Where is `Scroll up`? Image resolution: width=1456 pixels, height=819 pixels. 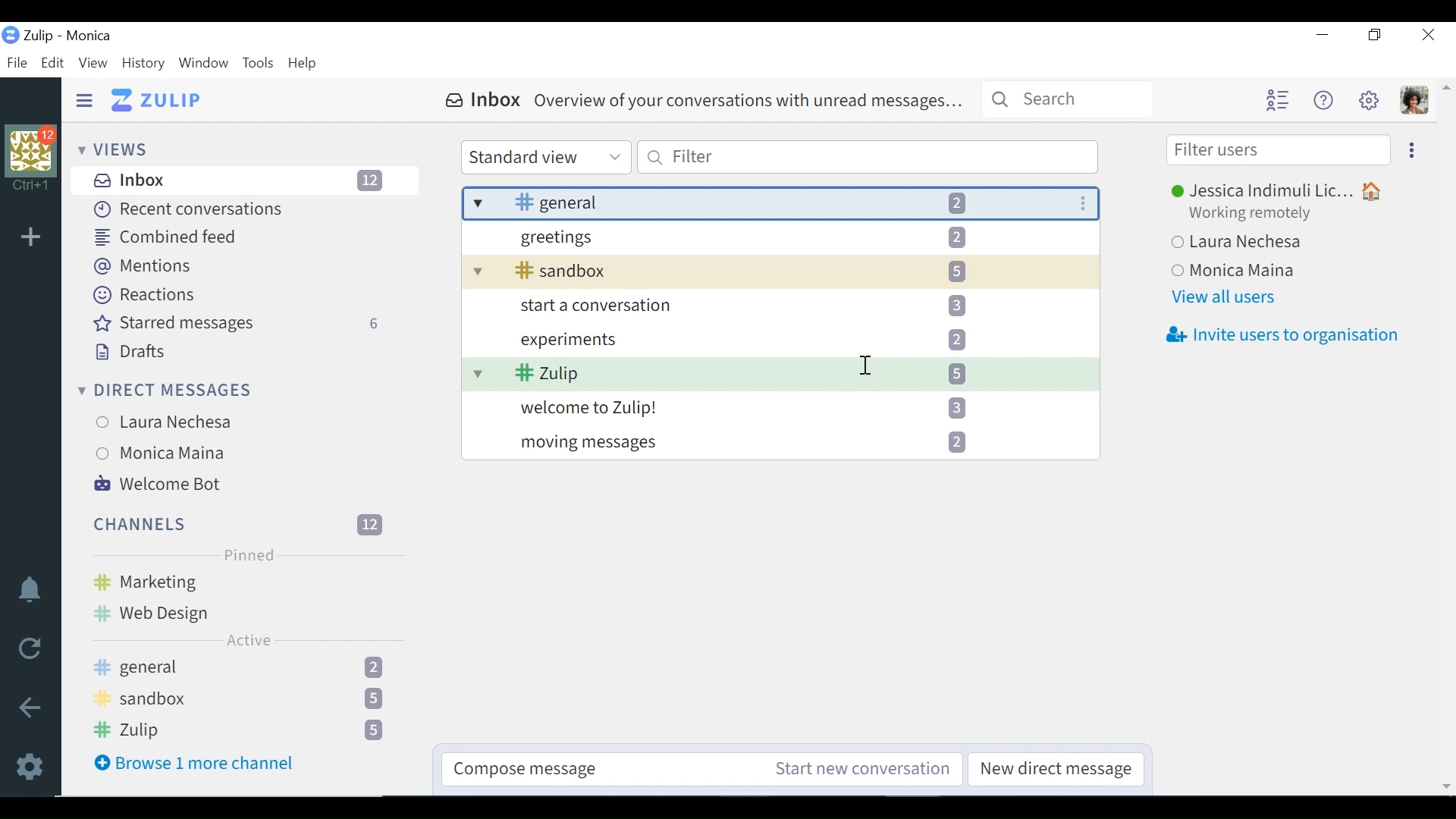
Scroll up is located at coordinates (1447, 86).